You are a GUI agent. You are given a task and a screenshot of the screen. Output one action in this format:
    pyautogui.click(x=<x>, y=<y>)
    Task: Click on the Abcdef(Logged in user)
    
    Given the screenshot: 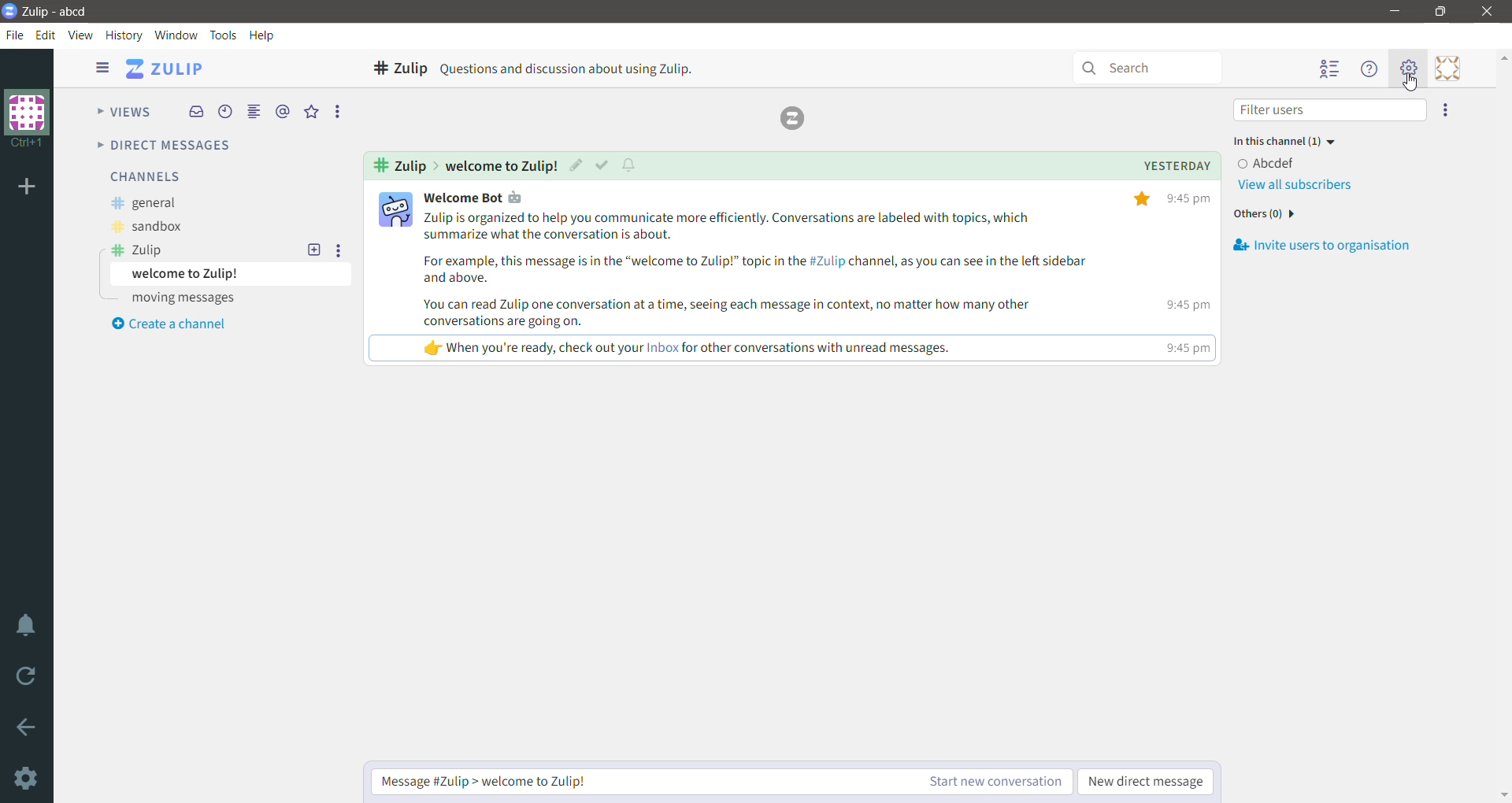 What is the action you would take?
    pyautogui.click(x=1270, y=162)
    